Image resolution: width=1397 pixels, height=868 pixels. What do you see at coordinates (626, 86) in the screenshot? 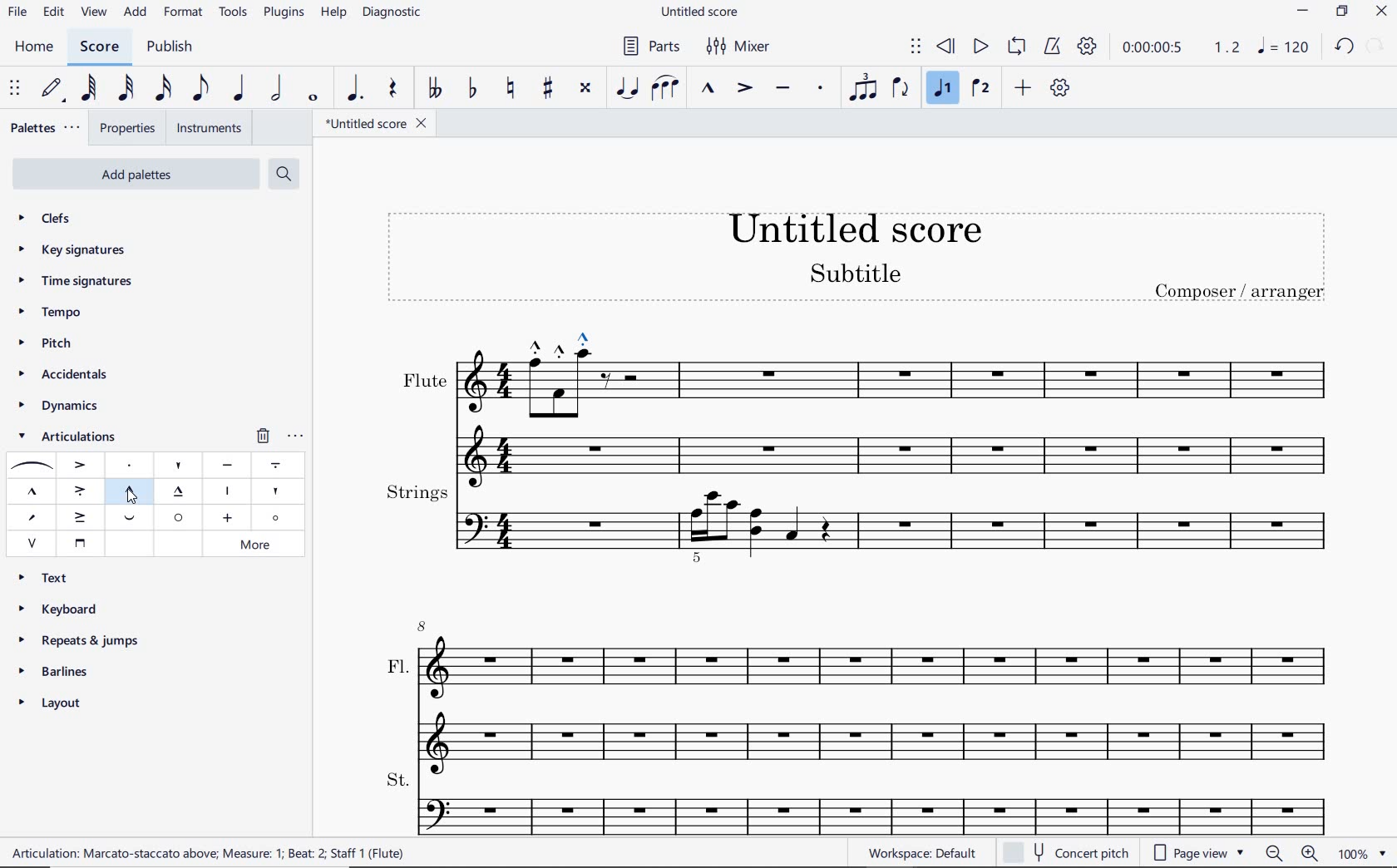
I see `TIE` at bounding box center [626, 86].